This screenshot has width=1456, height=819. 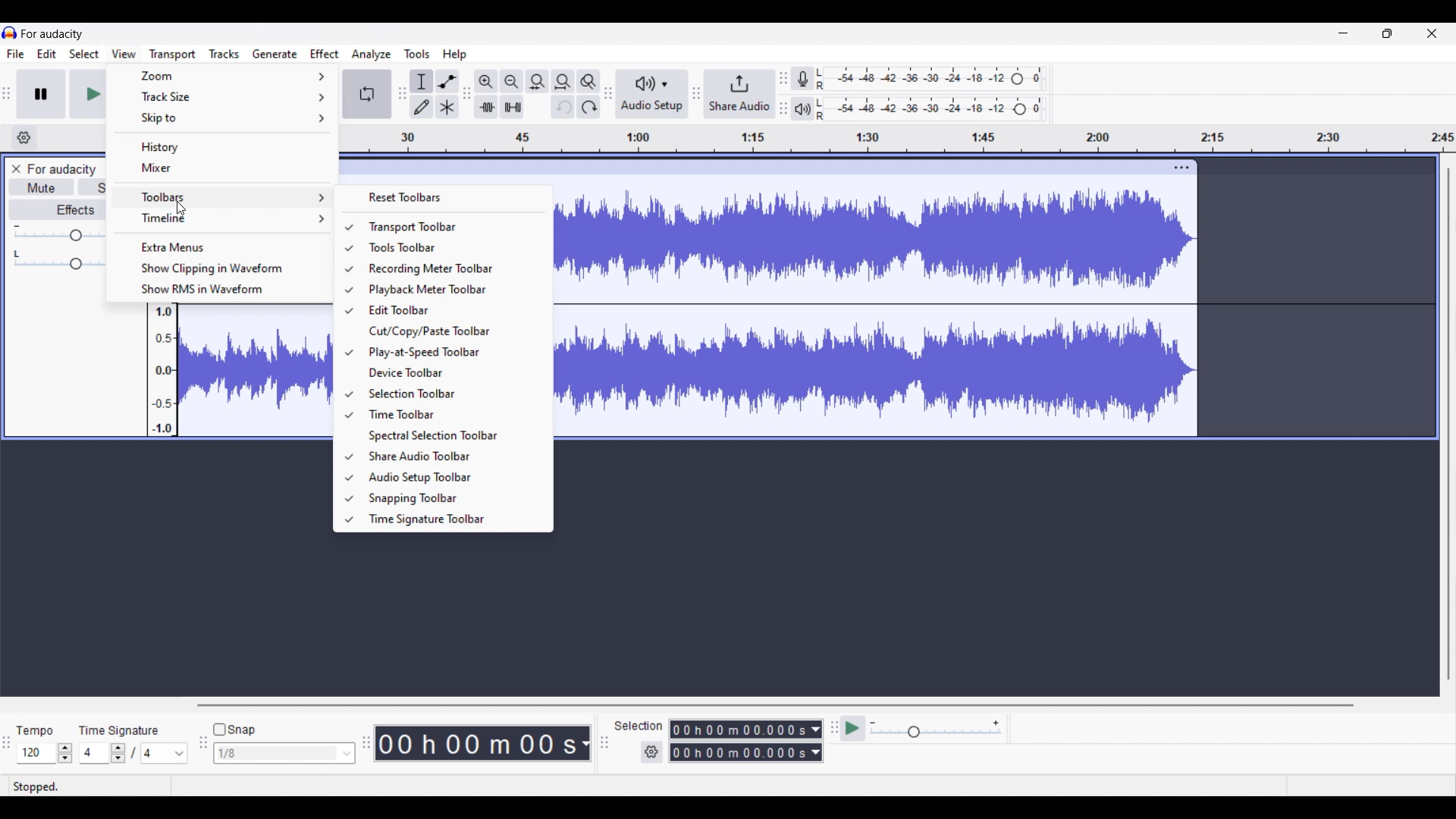 What do you see at coordinates (235, 730) in the screenshot?
I see `Snap toggle` at bounding box center [235, 730].